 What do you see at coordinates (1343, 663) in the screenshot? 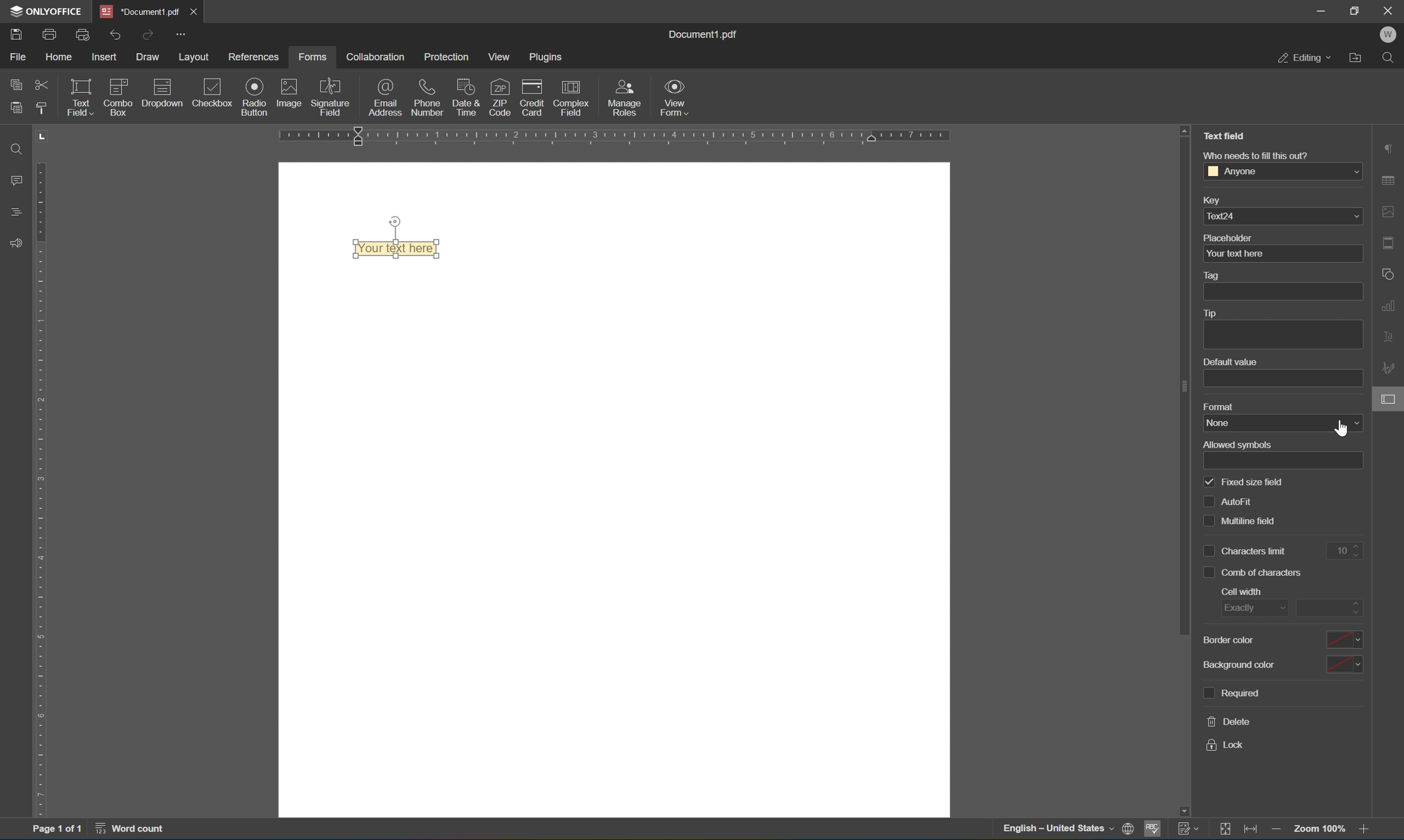
I see `select background color` at bounding box center [1343, 663].